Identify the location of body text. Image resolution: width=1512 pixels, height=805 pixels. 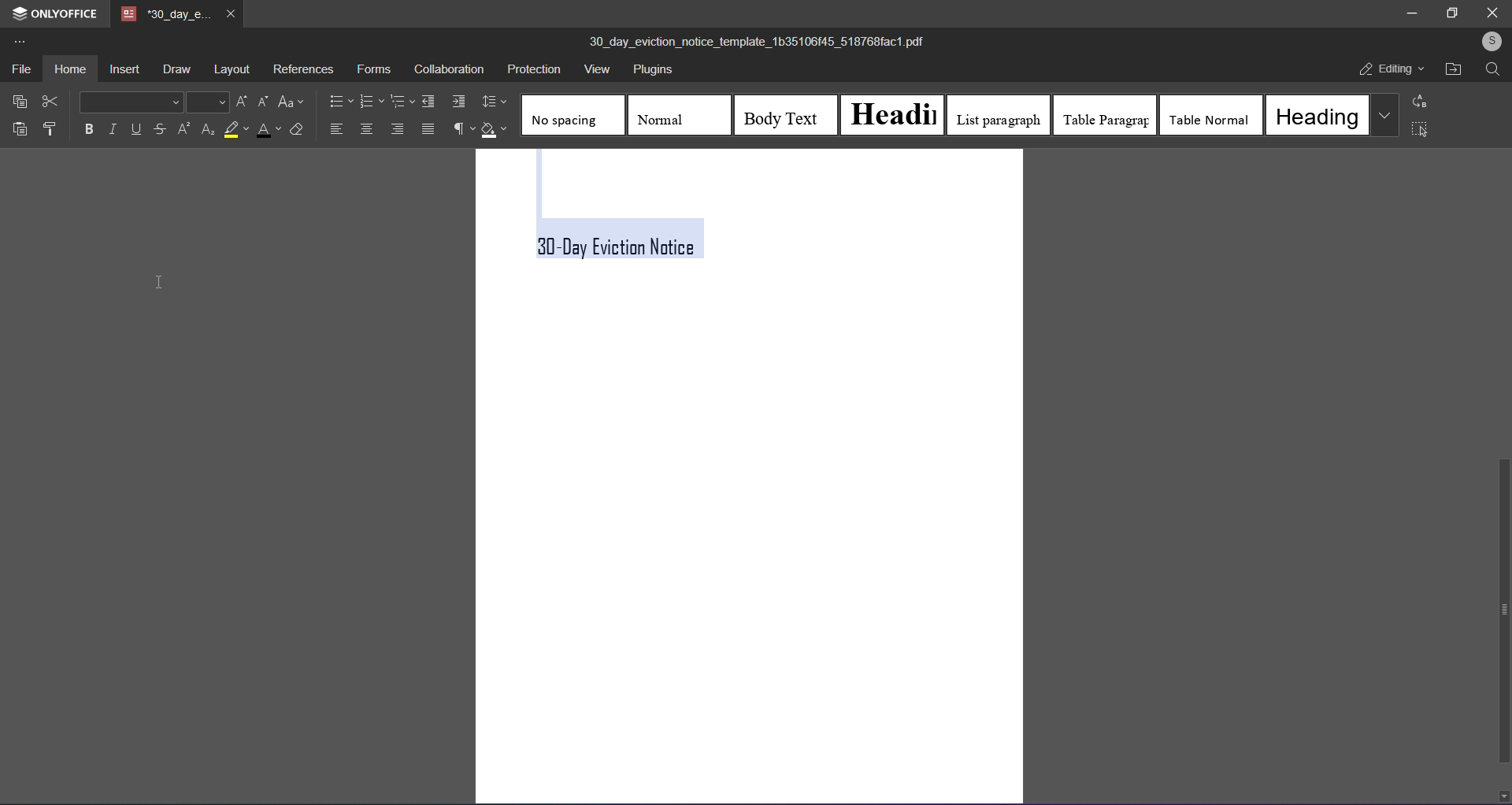
(783, 114).